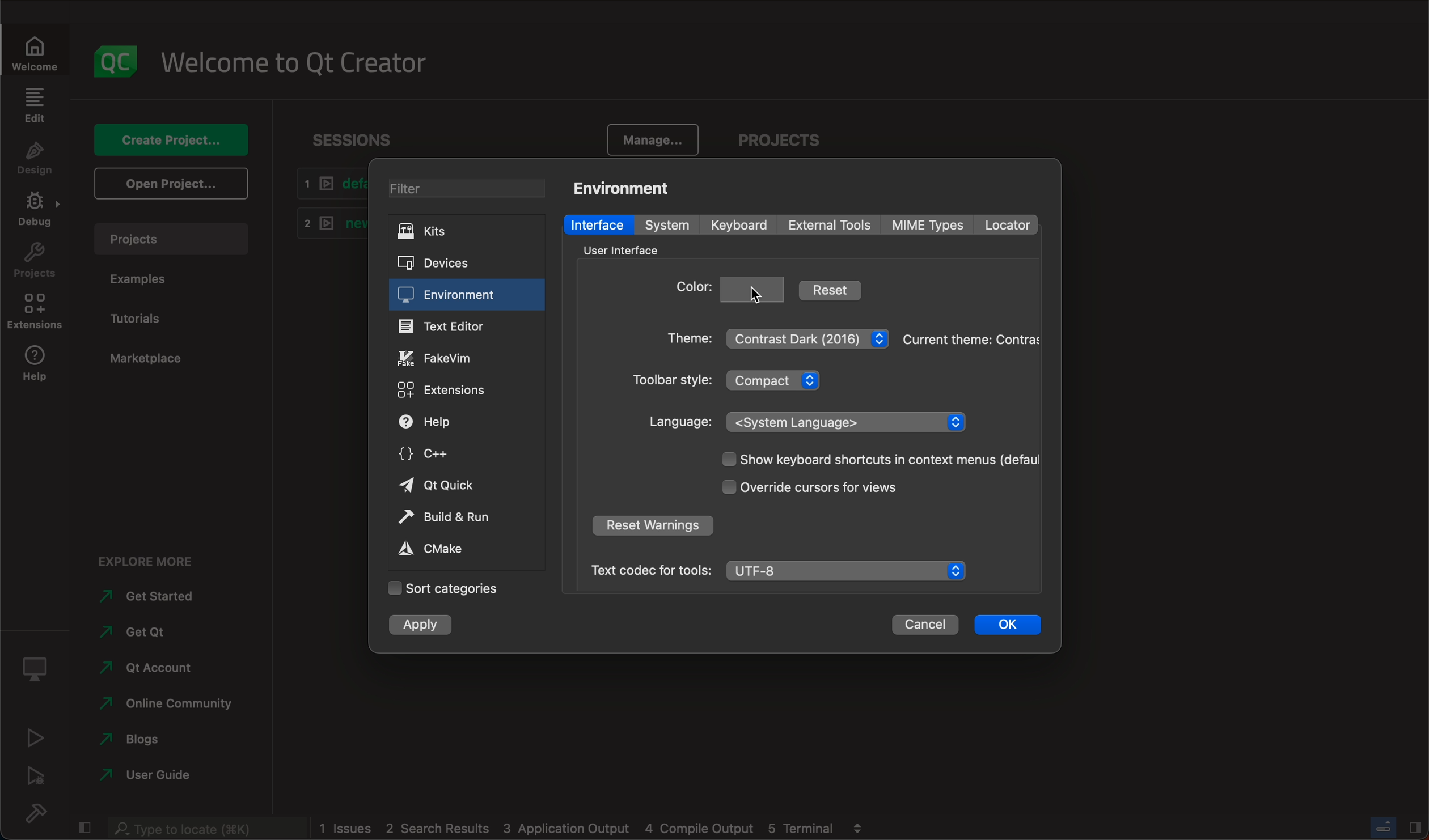 The image size is (1429, 840). Describe the element at coordinates (754, 287) in the screenshot. I see `color pallete` at that location.